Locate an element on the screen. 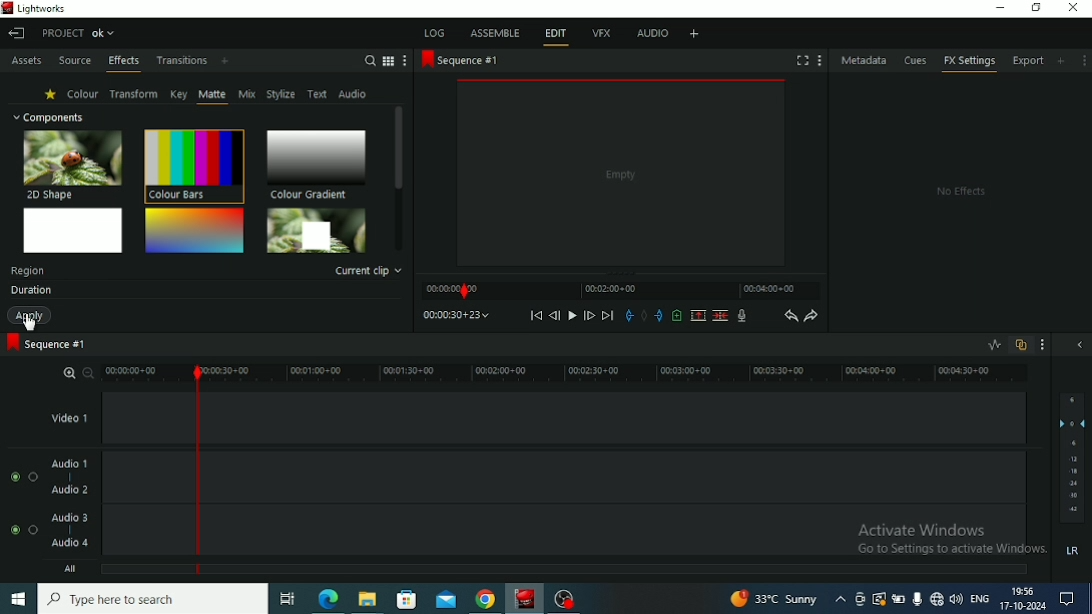 The width and height of the screenshot is (1092, 614). battery is located at coordinates (900, 599).